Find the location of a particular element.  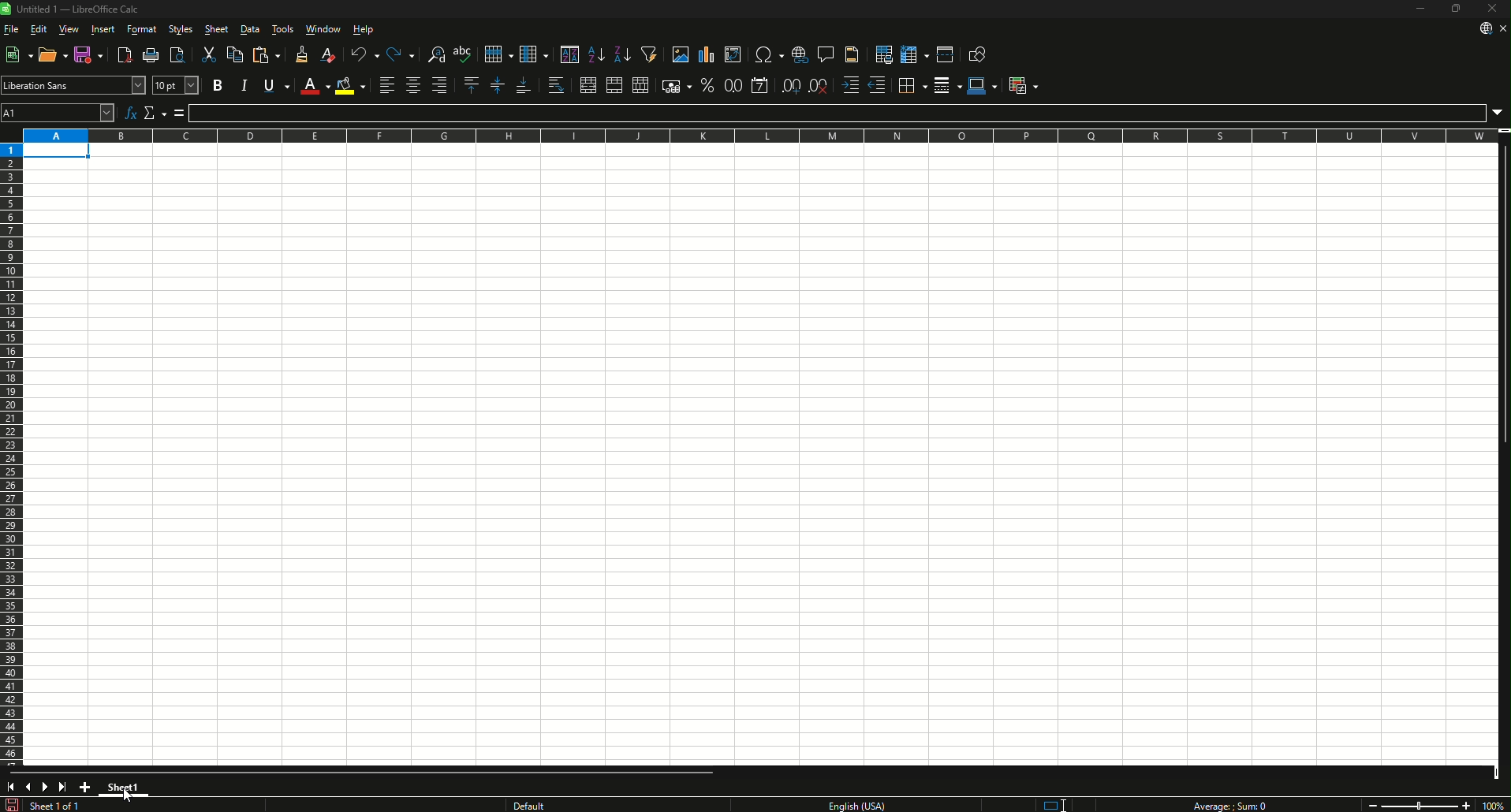

Scroll to last sheet is located at coordinates (62, 786).